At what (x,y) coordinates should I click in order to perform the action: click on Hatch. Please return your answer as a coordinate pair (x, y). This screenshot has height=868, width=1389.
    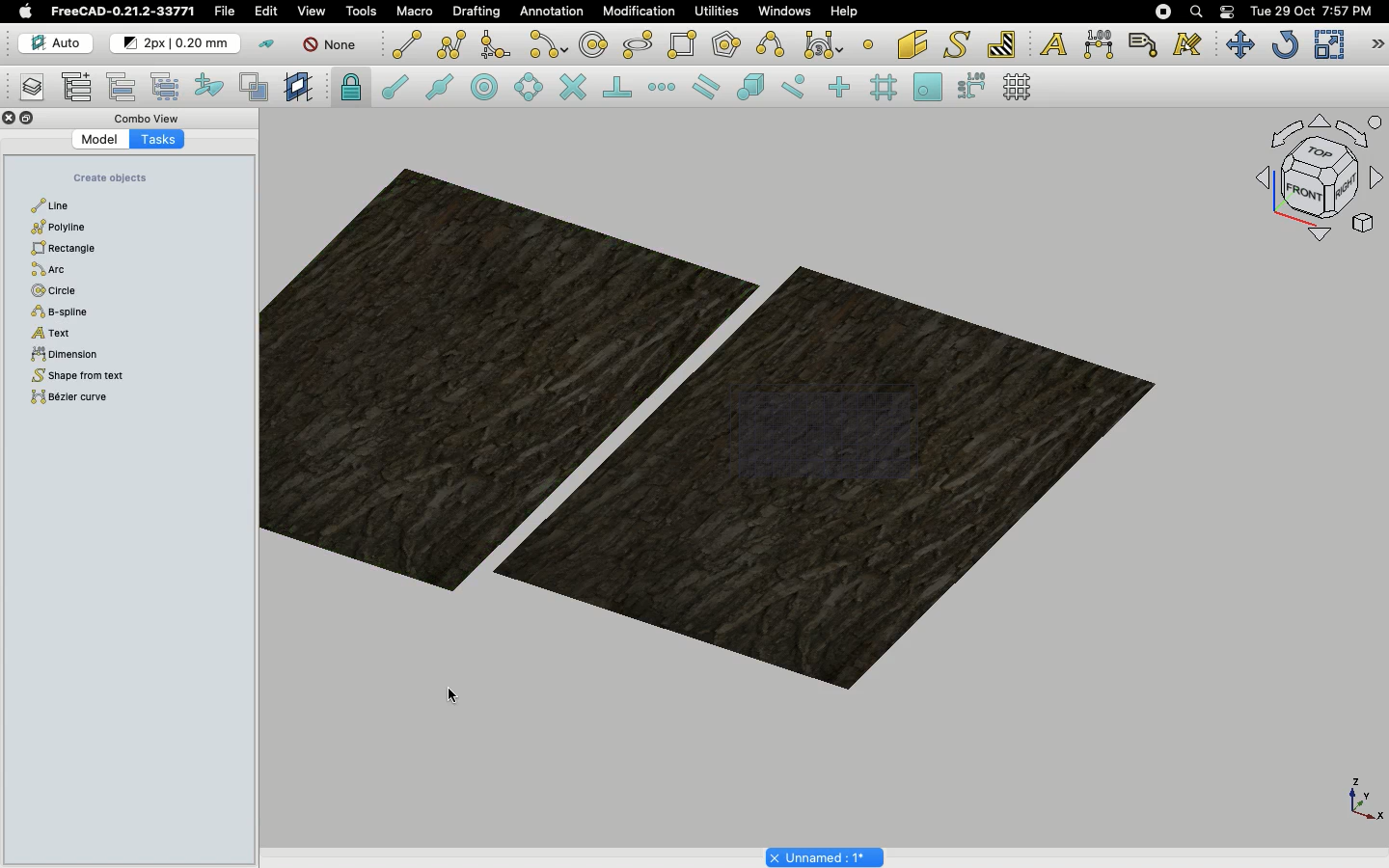
    Looking at the image, I should click on (1002, 44).